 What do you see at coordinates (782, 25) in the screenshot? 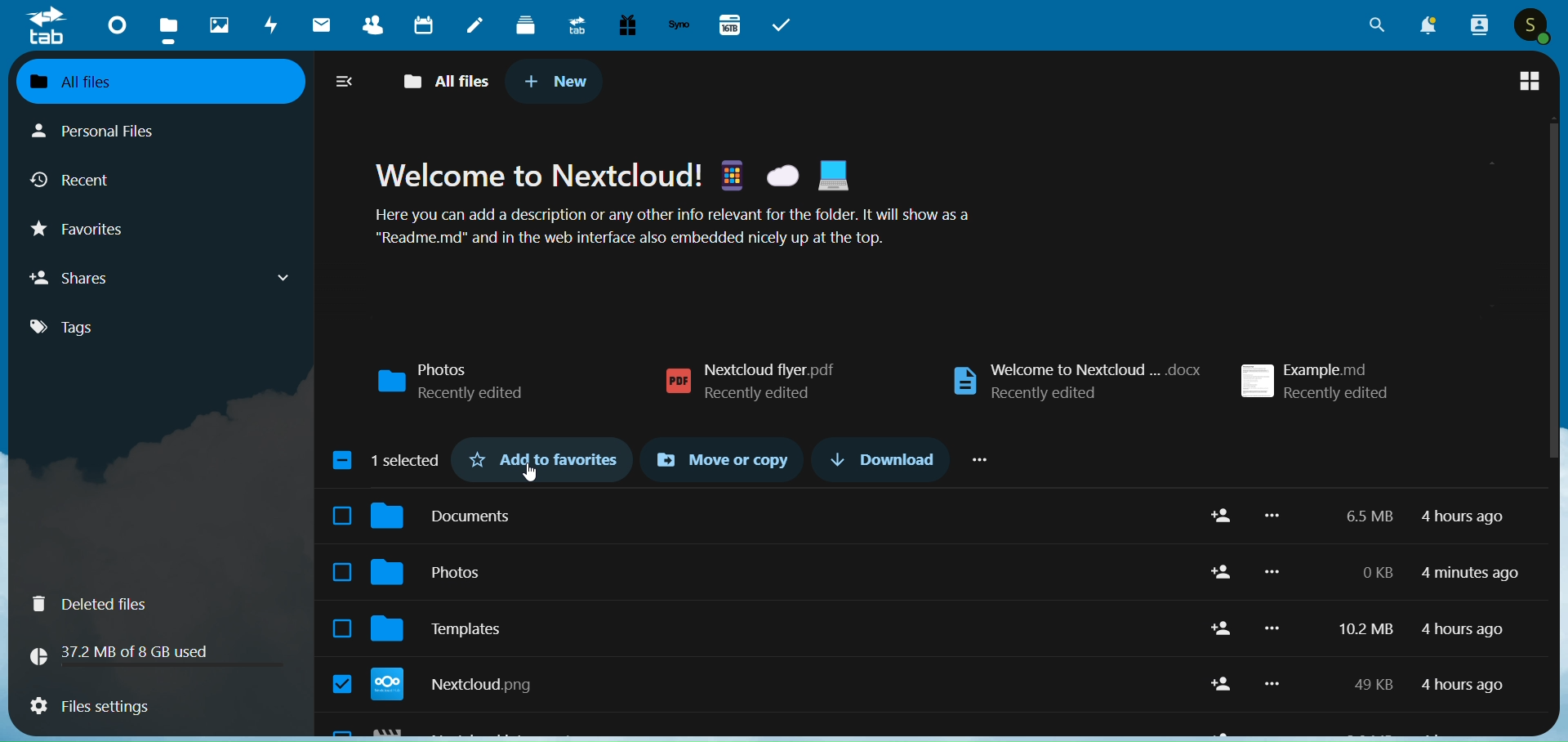
I see `task` at bounding box center [782, 25].